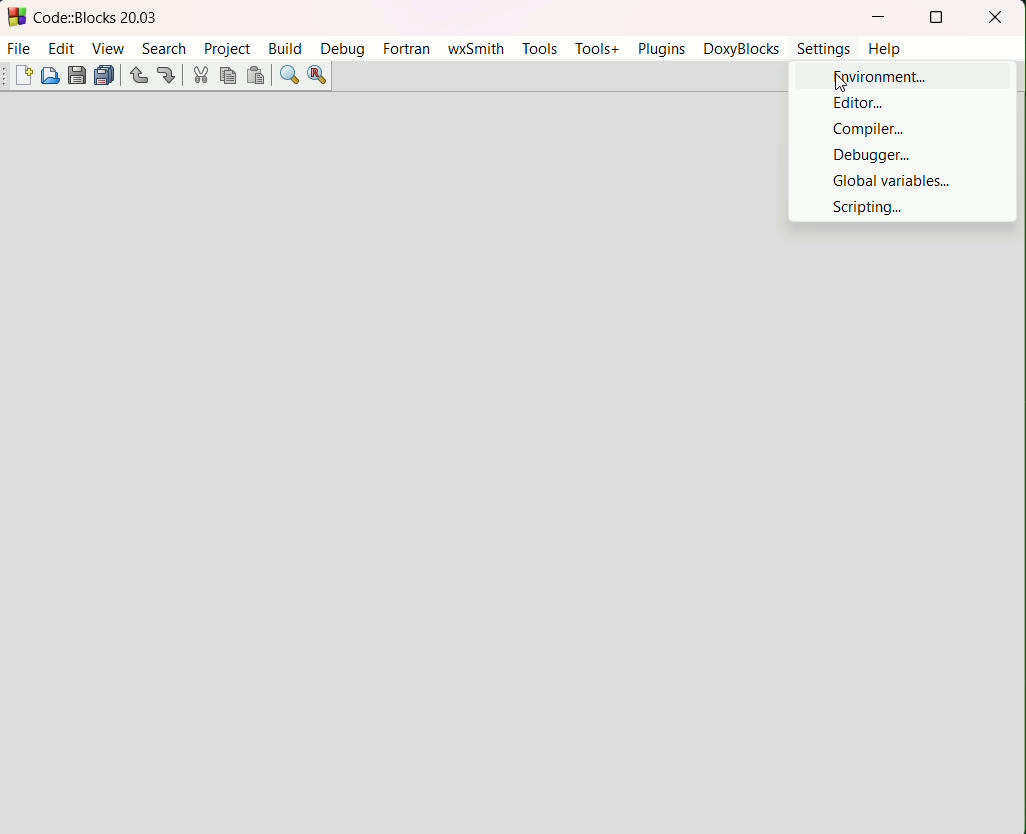 The height and width of the screenshot is (834, 1026). I want to click on find and replace, so click(319, 76).